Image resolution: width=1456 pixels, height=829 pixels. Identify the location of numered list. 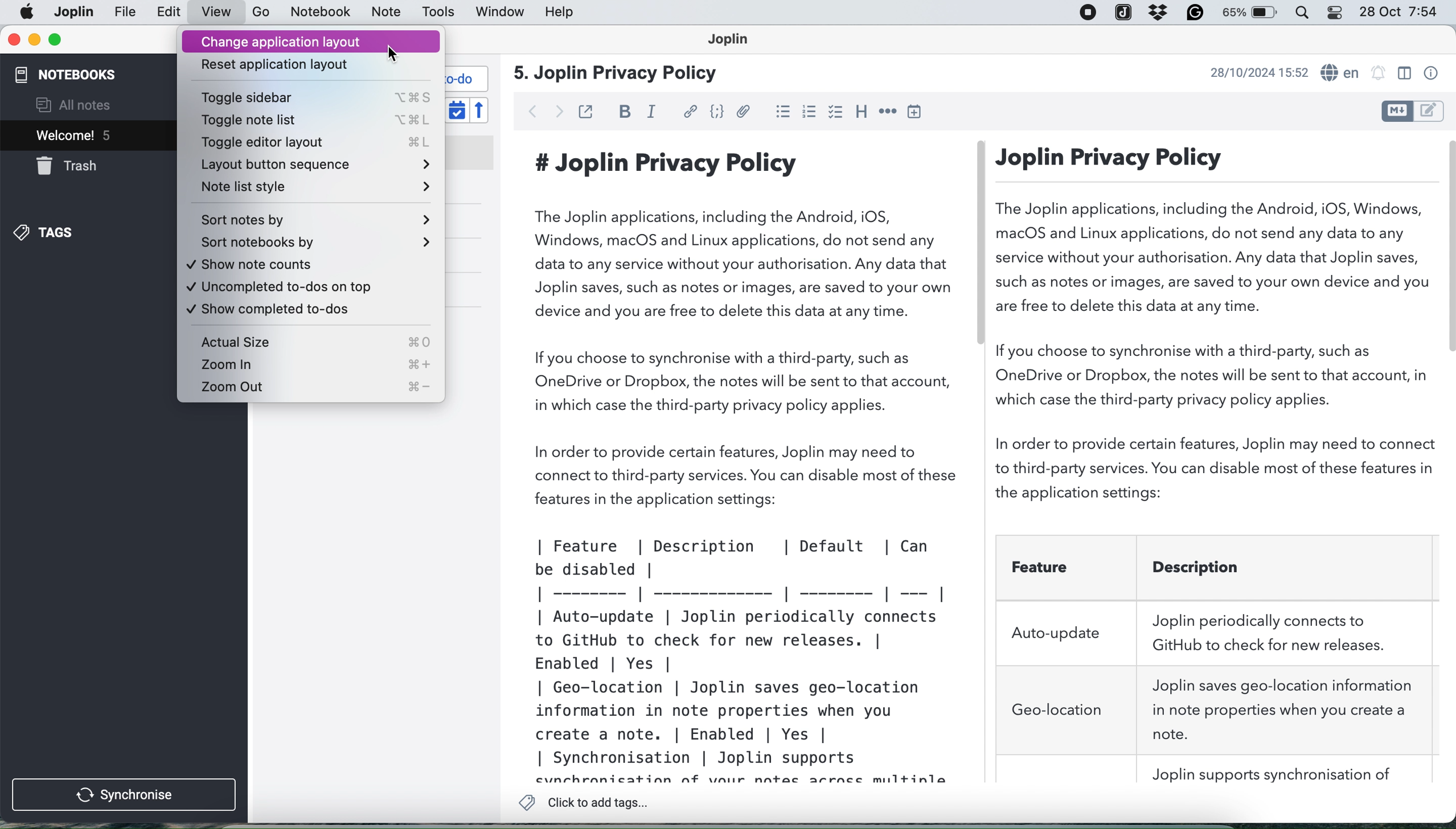
(810, 114).